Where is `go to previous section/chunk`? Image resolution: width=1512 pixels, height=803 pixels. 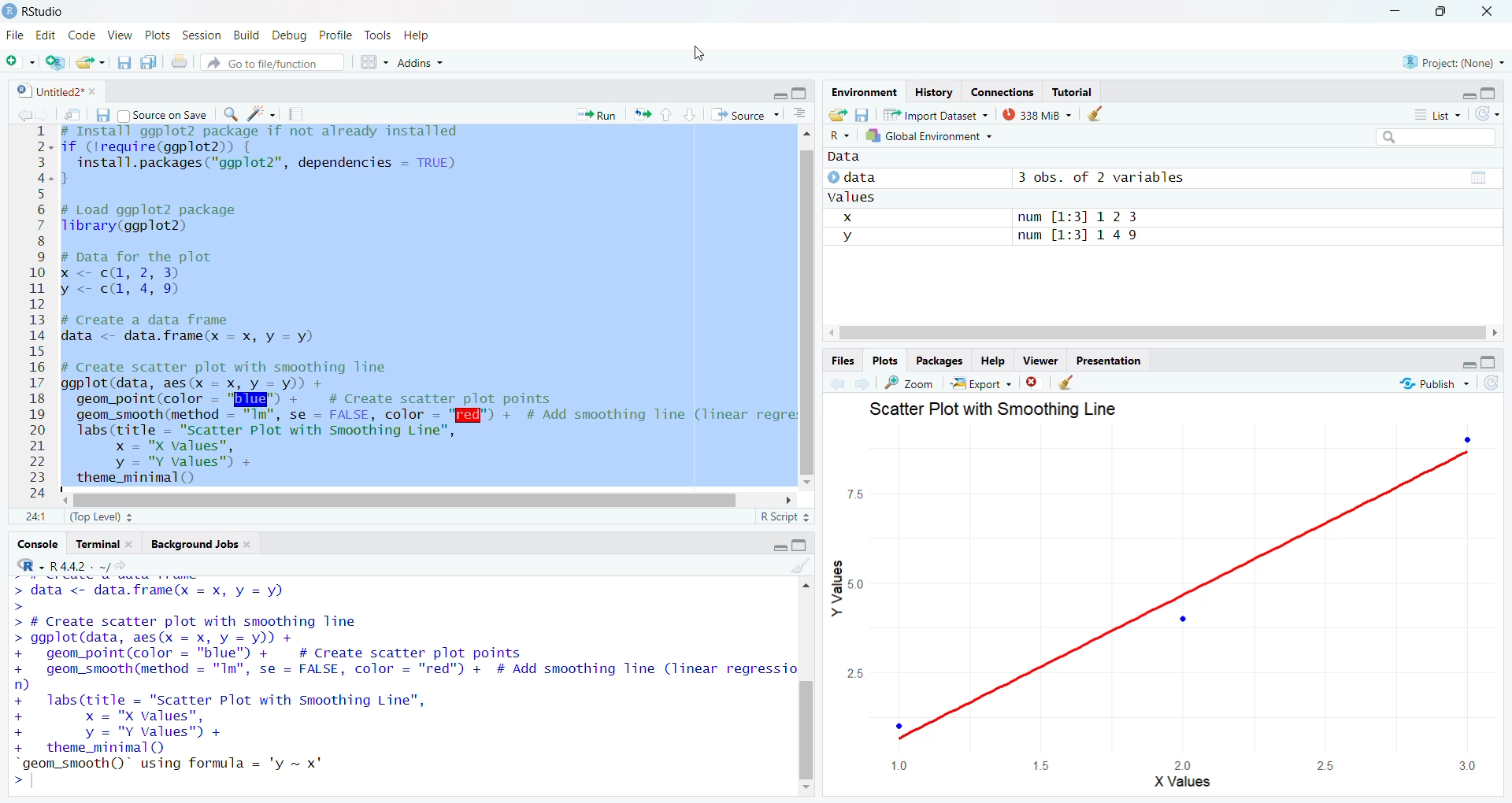
go to previous section/chunk is located at coordinates (665, 116).